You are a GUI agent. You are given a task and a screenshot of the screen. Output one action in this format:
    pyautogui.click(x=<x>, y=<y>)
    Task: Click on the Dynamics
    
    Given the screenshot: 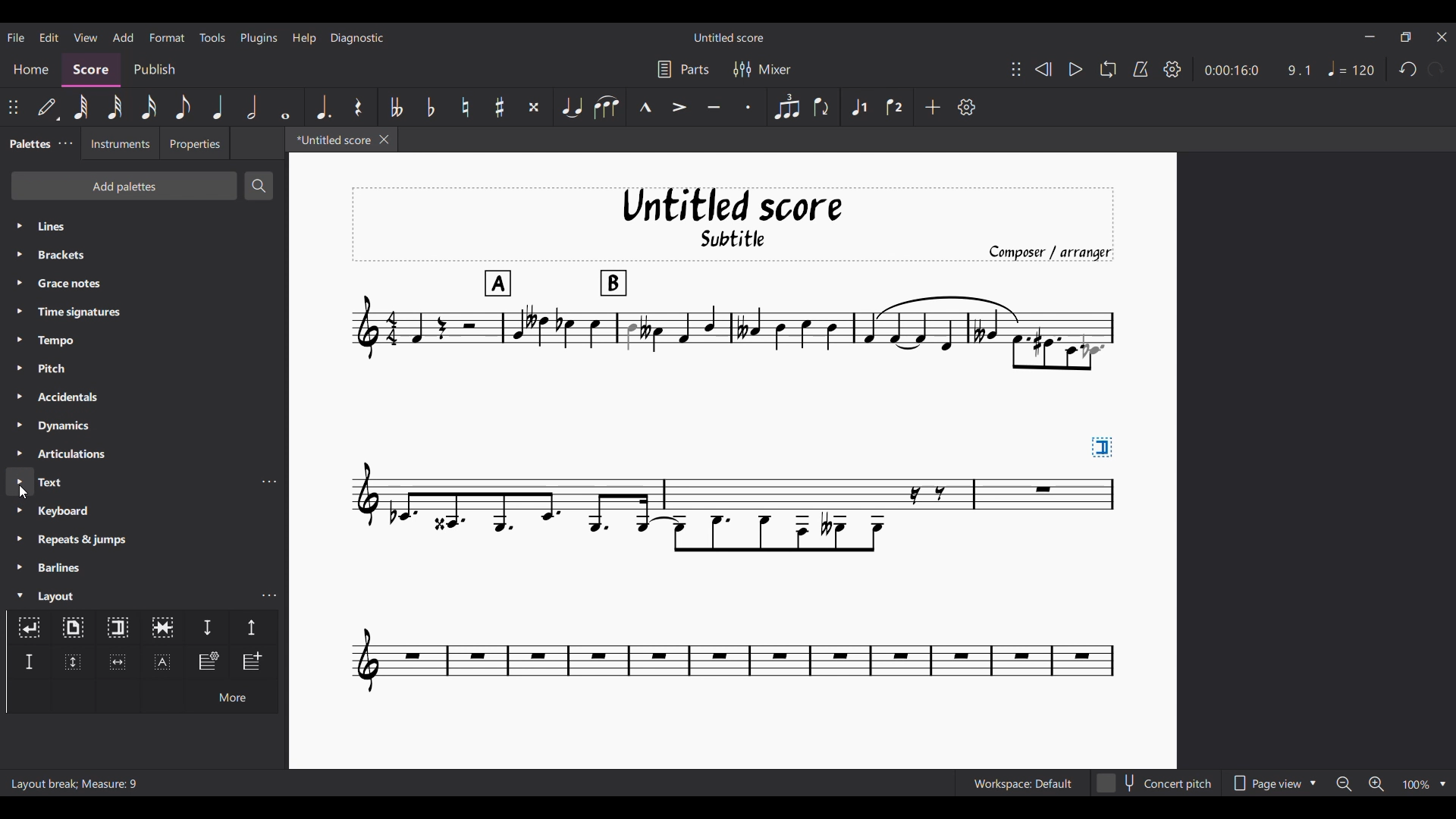 What is the action you would take?
    pyautogui.click(x=144, y=426)
    